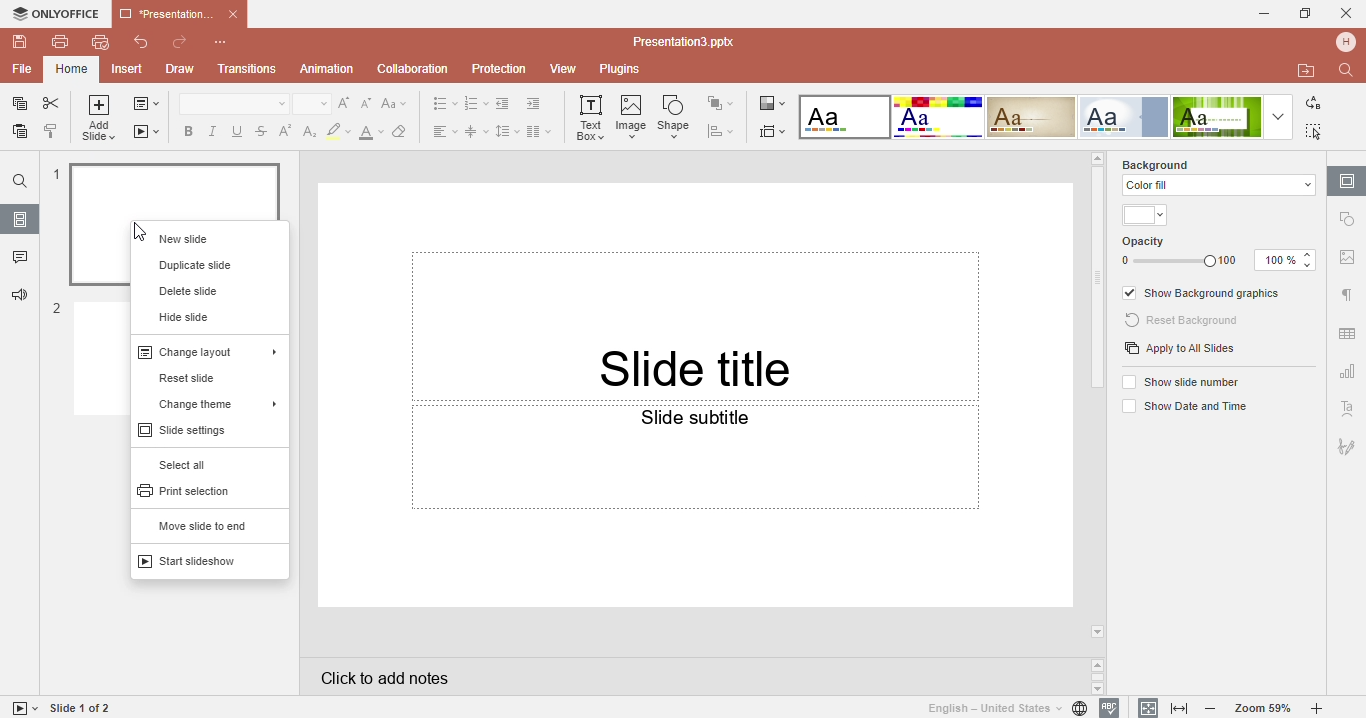 The image size is (1366, 718). What do you see at coordinates (1181, 709) in the screenshot?
I see `Fit to width` at bounding box center [1181, 709].